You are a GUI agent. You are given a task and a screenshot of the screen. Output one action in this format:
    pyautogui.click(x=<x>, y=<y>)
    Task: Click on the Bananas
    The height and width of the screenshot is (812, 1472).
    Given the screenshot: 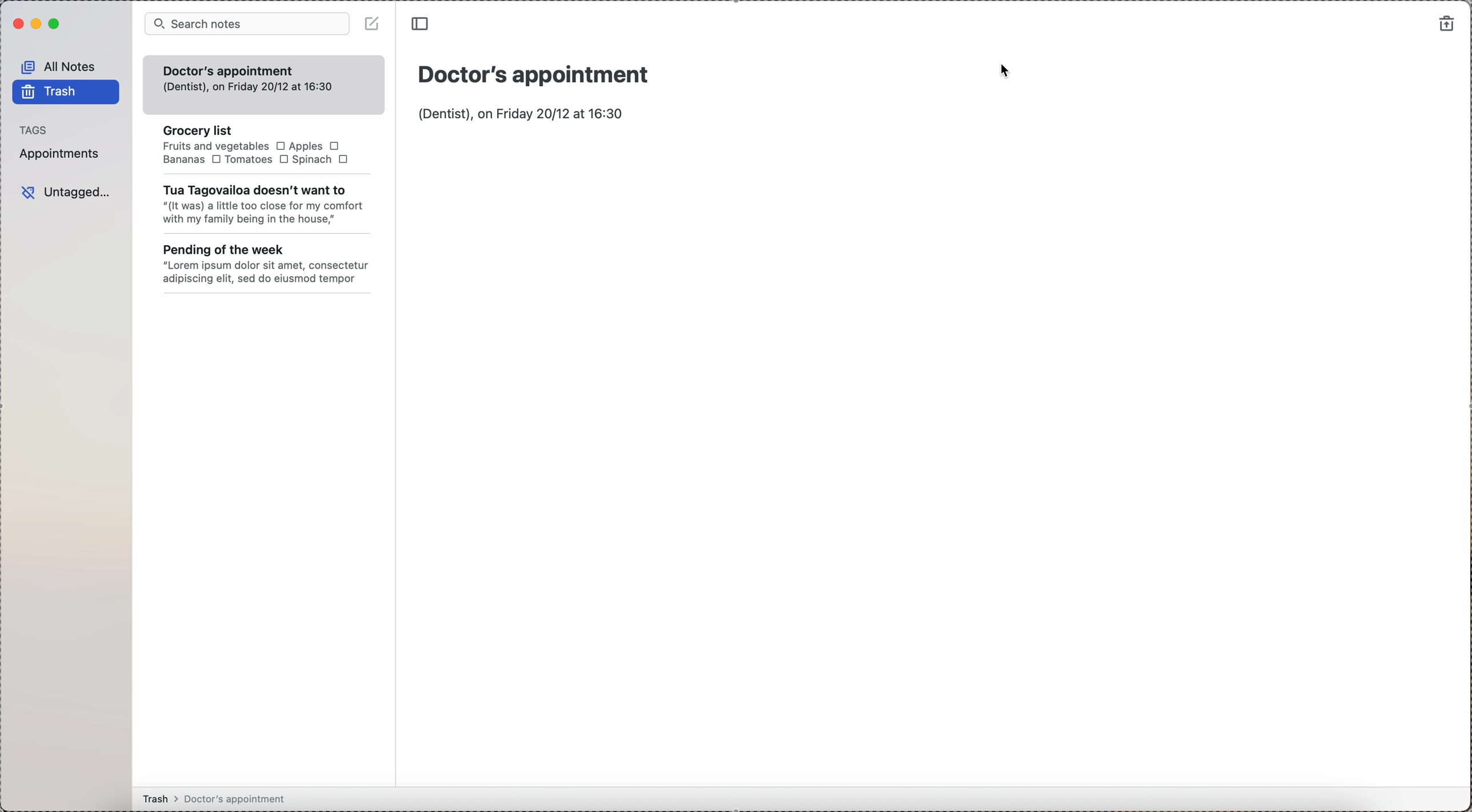 What is the action you would take?
    pyautogui.click(x=191, y=159)
    